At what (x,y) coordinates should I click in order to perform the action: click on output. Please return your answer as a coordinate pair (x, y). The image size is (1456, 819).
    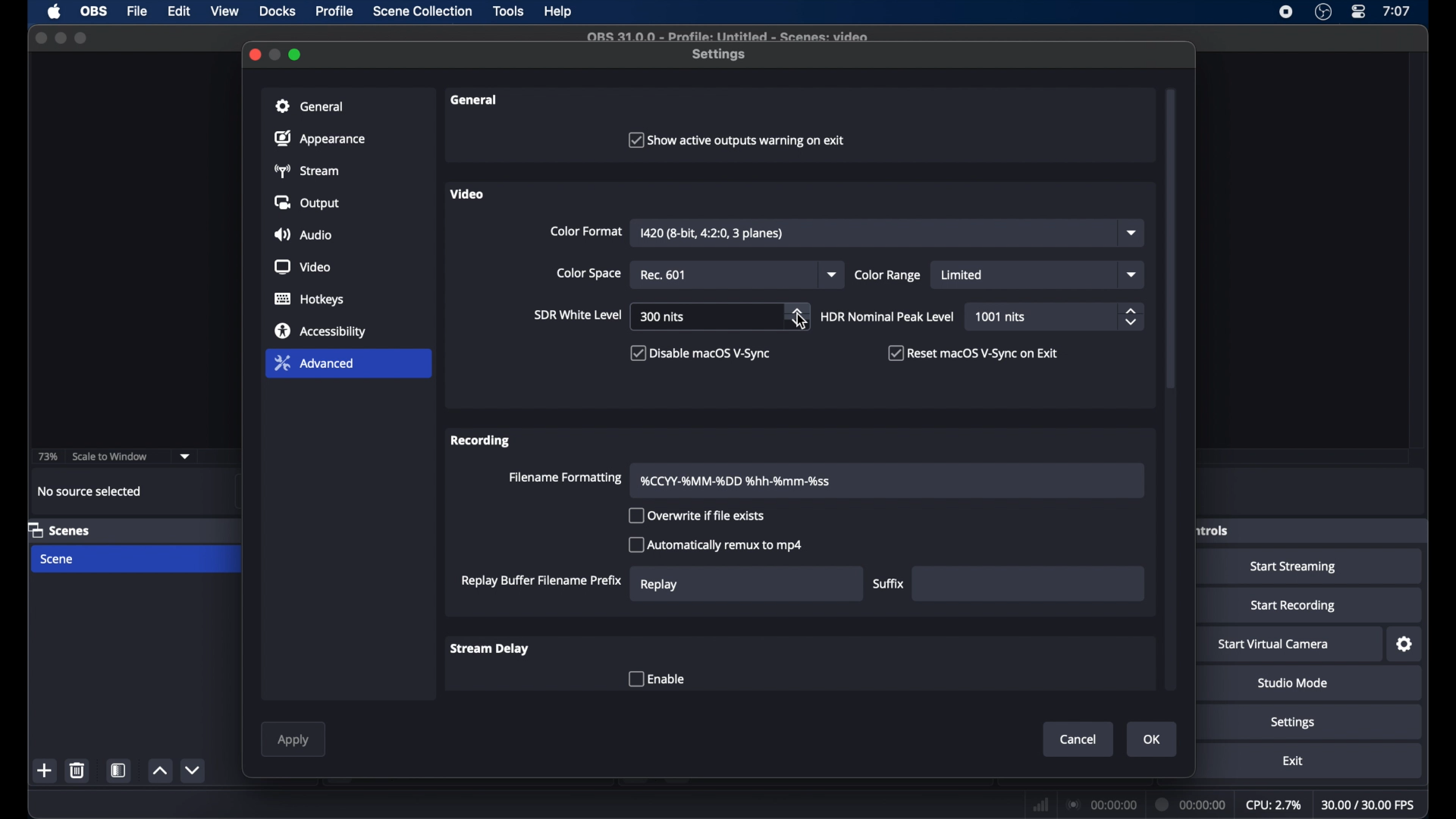
    Looking at the image, I should click on (310, 203).